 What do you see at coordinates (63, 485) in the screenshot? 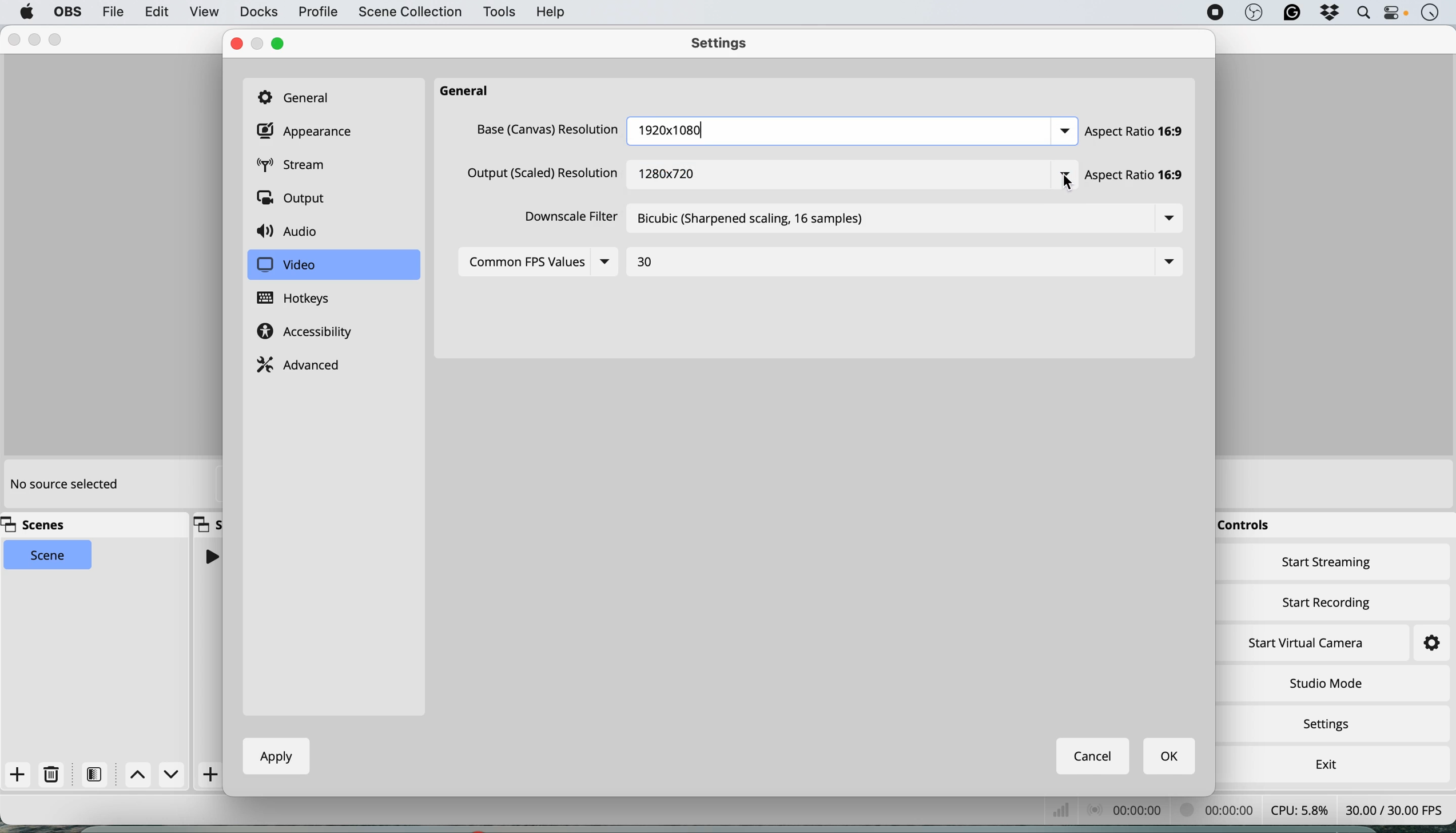
I see `no source selected` at bounding box center [63, 485].